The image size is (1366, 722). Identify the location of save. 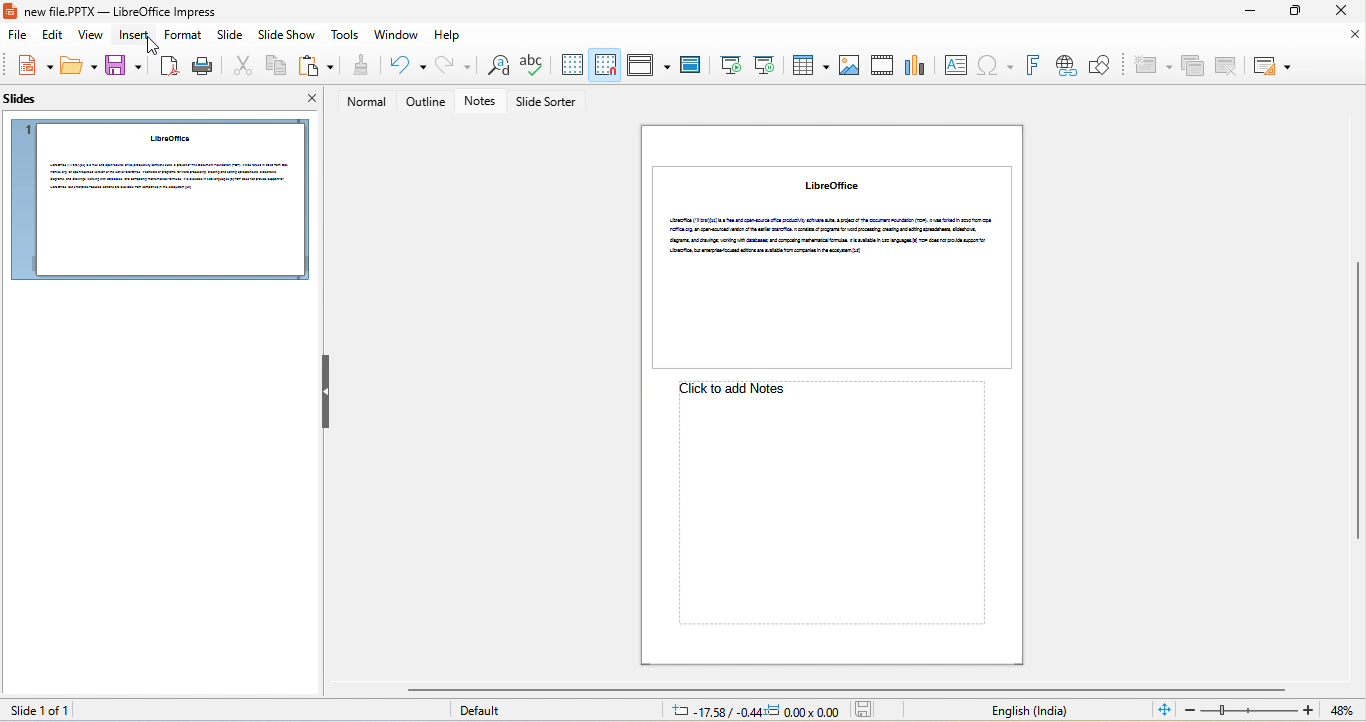
(124, 67).